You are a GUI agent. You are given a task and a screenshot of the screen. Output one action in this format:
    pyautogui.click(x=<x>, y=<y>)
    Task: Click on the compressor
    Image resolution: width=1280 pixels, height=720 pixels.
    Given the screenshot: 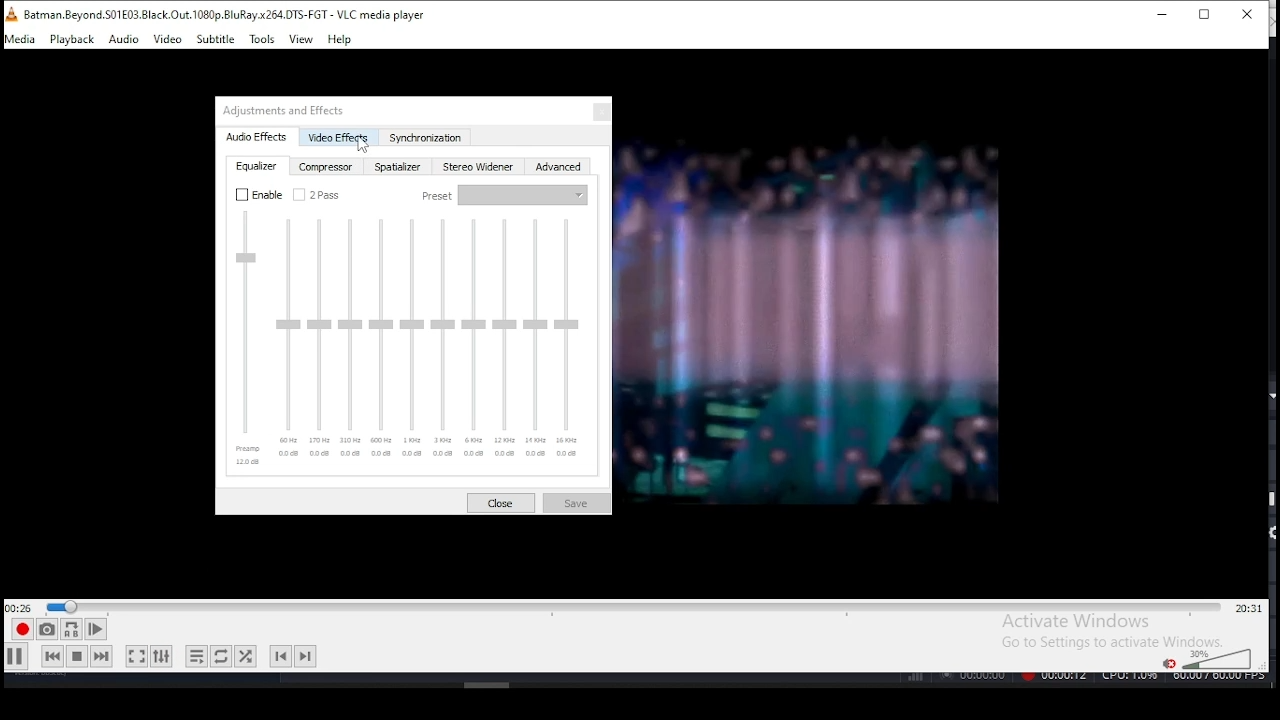 What is the action you would take?
    pyautogui.click(x=325, y=166)
    